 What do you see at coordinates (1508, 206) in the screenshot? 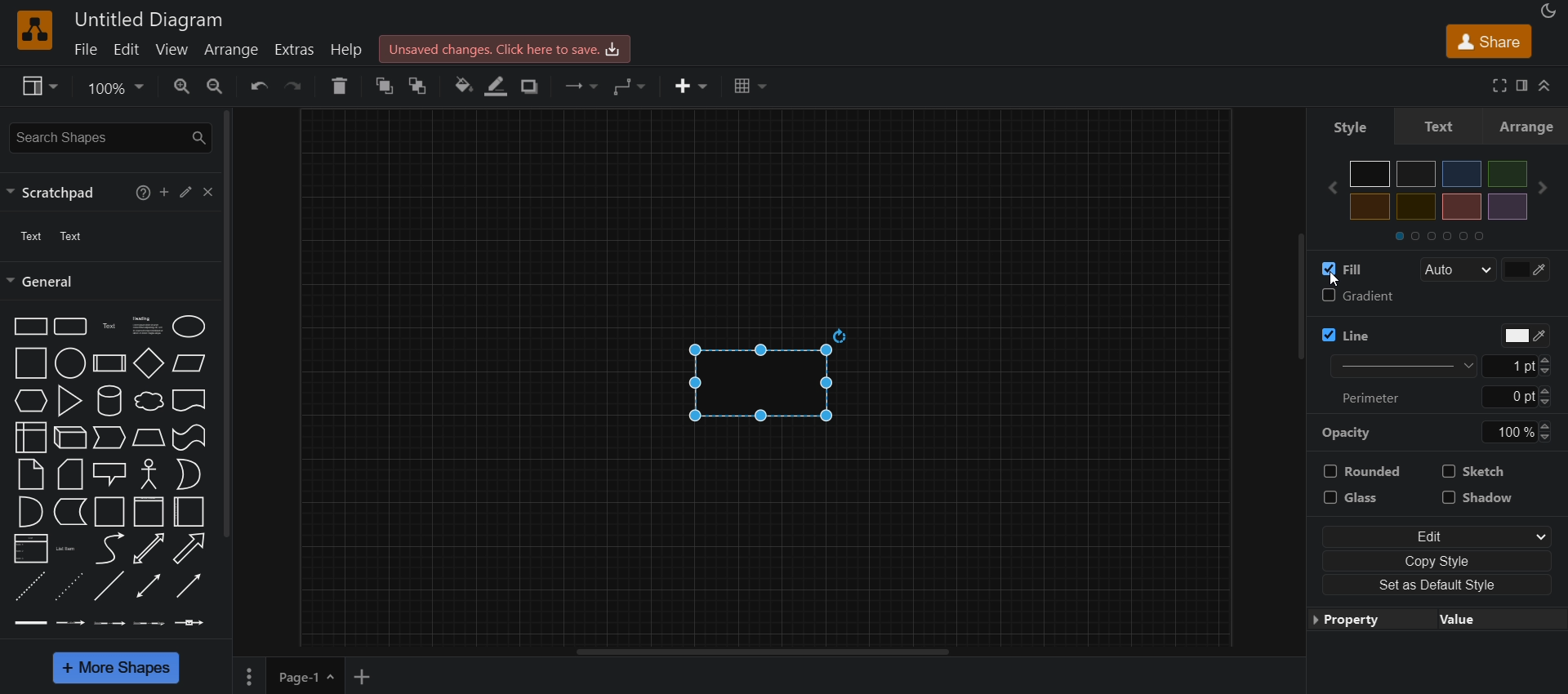
I see `violet` at bounding box center [1508, 206].